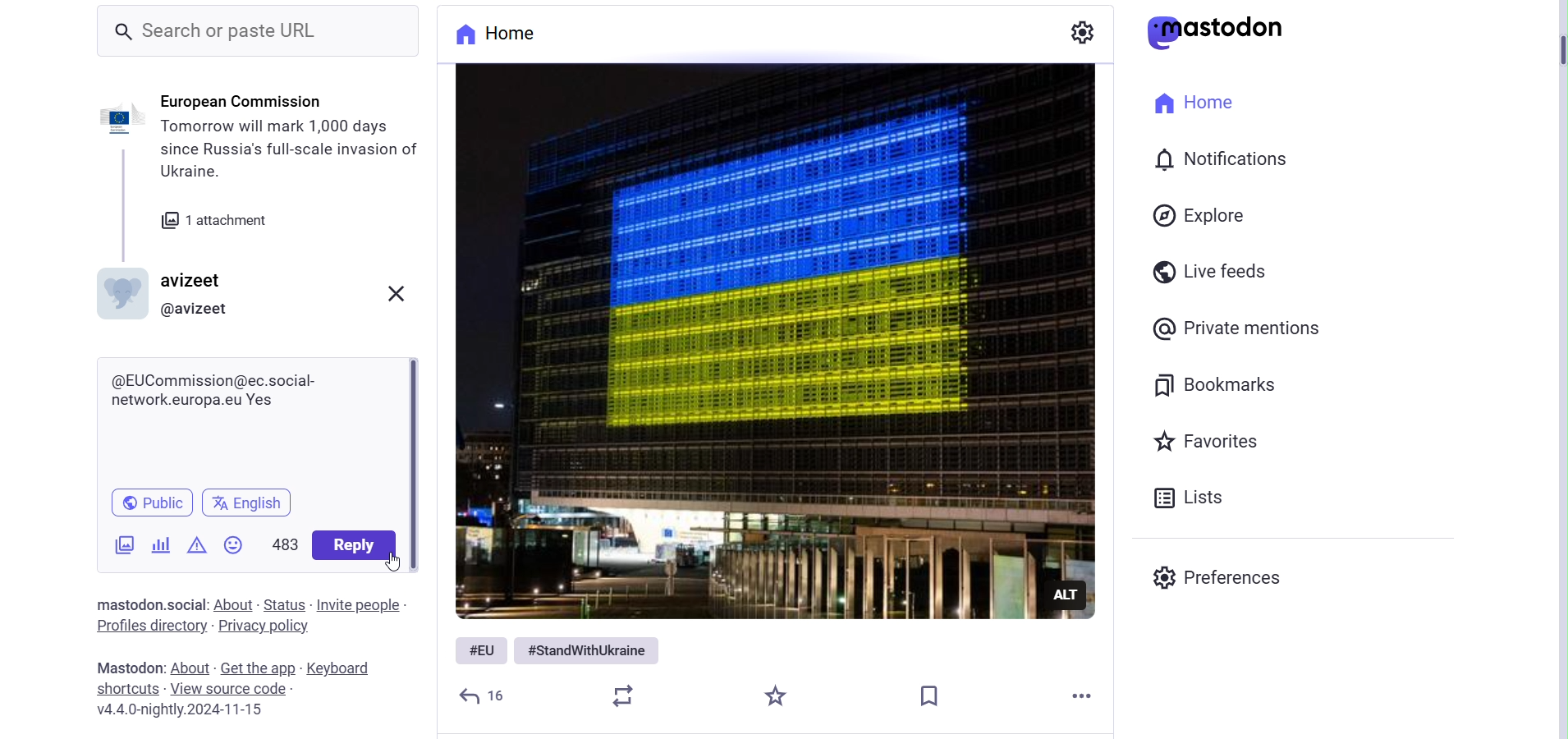 Image resolution: width=1568 pixels, height=739 pixels. Describe the element at coordinates (171, 293) in the screenshot. I see `Profile` at that location.